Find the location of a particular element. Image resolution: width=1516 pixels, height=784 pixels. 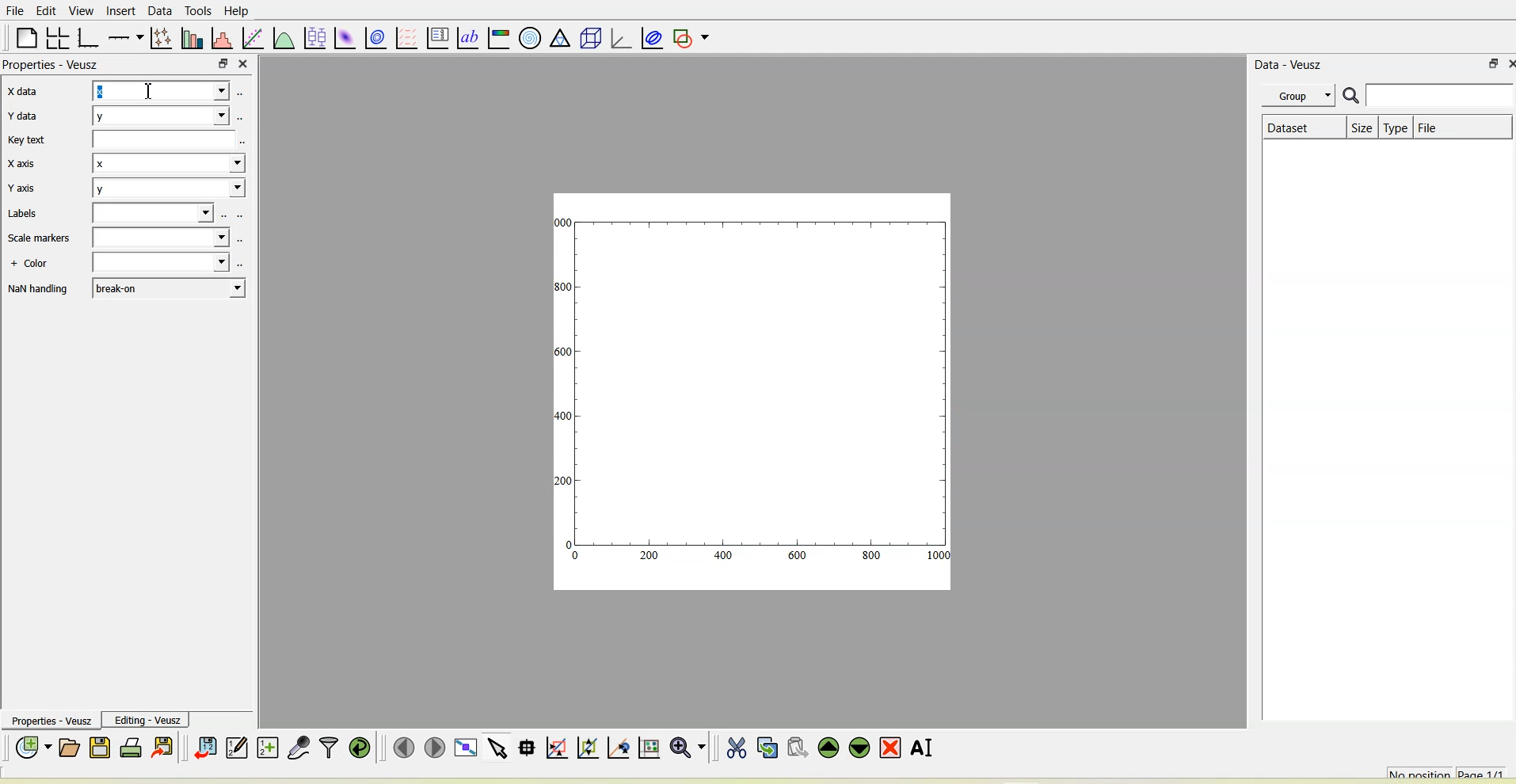

300 is located at coordinates (565, 286).